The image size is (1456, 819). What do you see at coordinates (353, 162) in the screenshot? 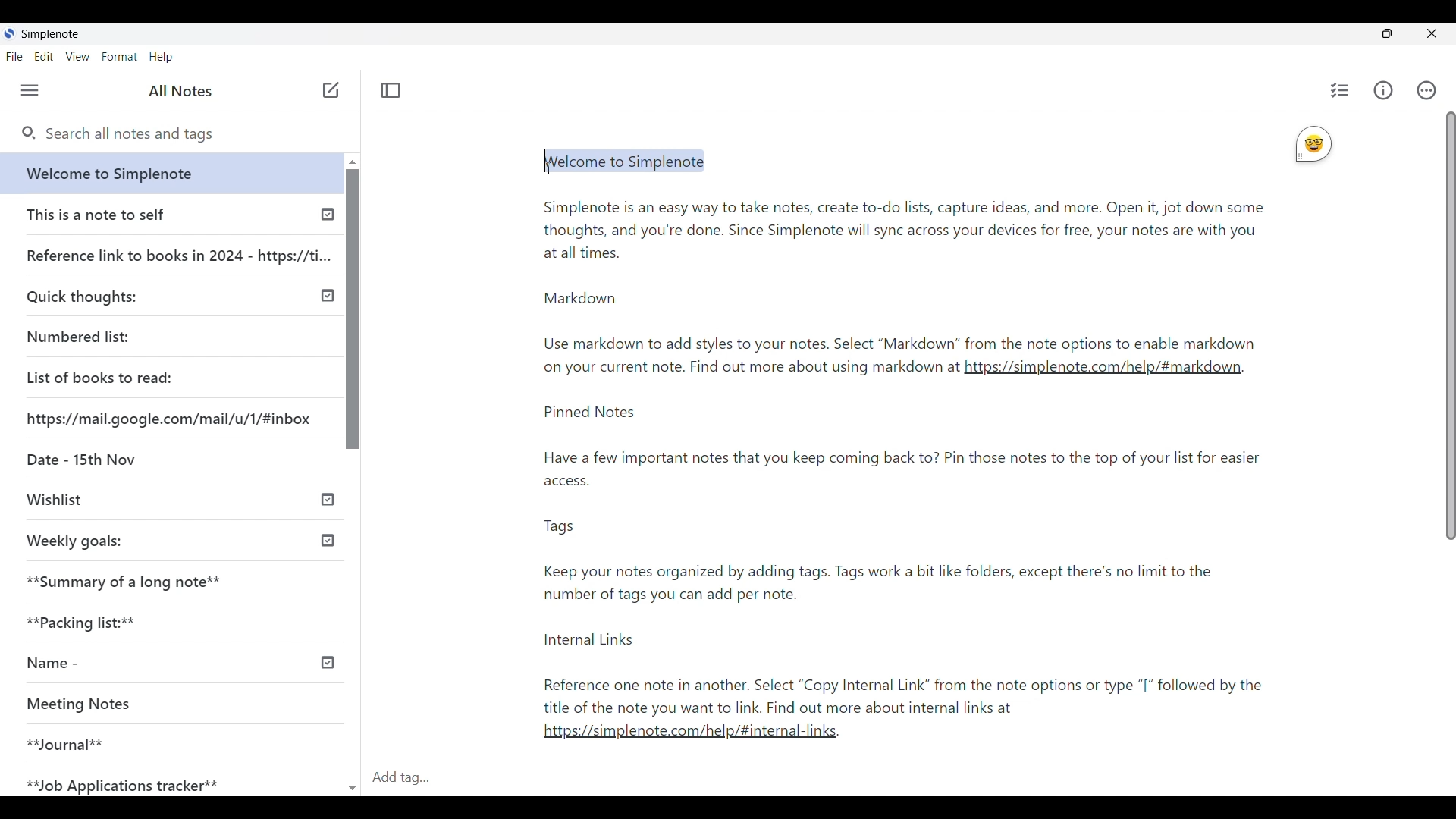
I see `Quick slide to top` at bounding box center [353, 162].